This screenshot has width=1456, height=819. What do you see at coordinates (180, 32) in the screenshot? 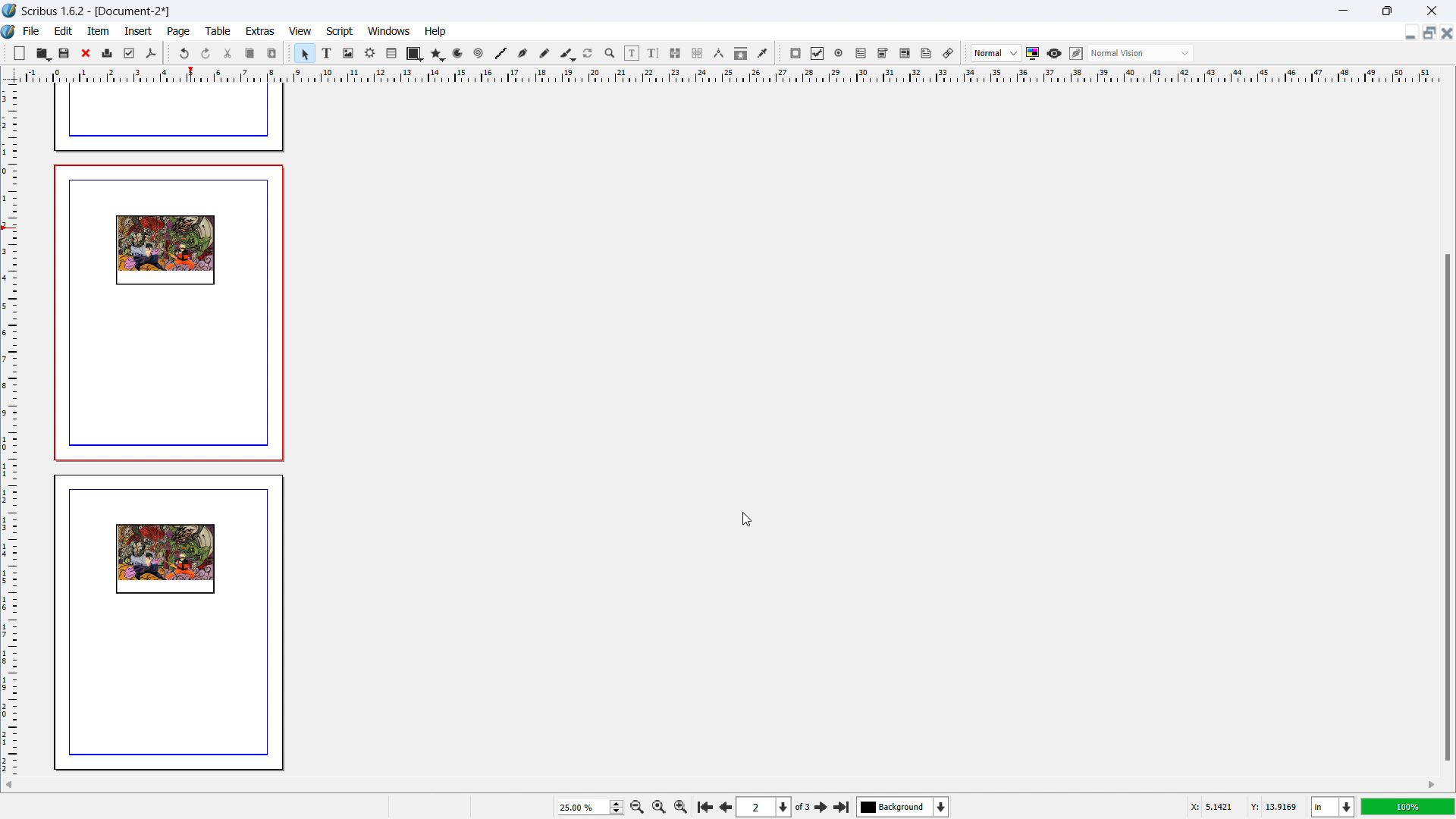
I see `page` at bounding box center [180, 32].